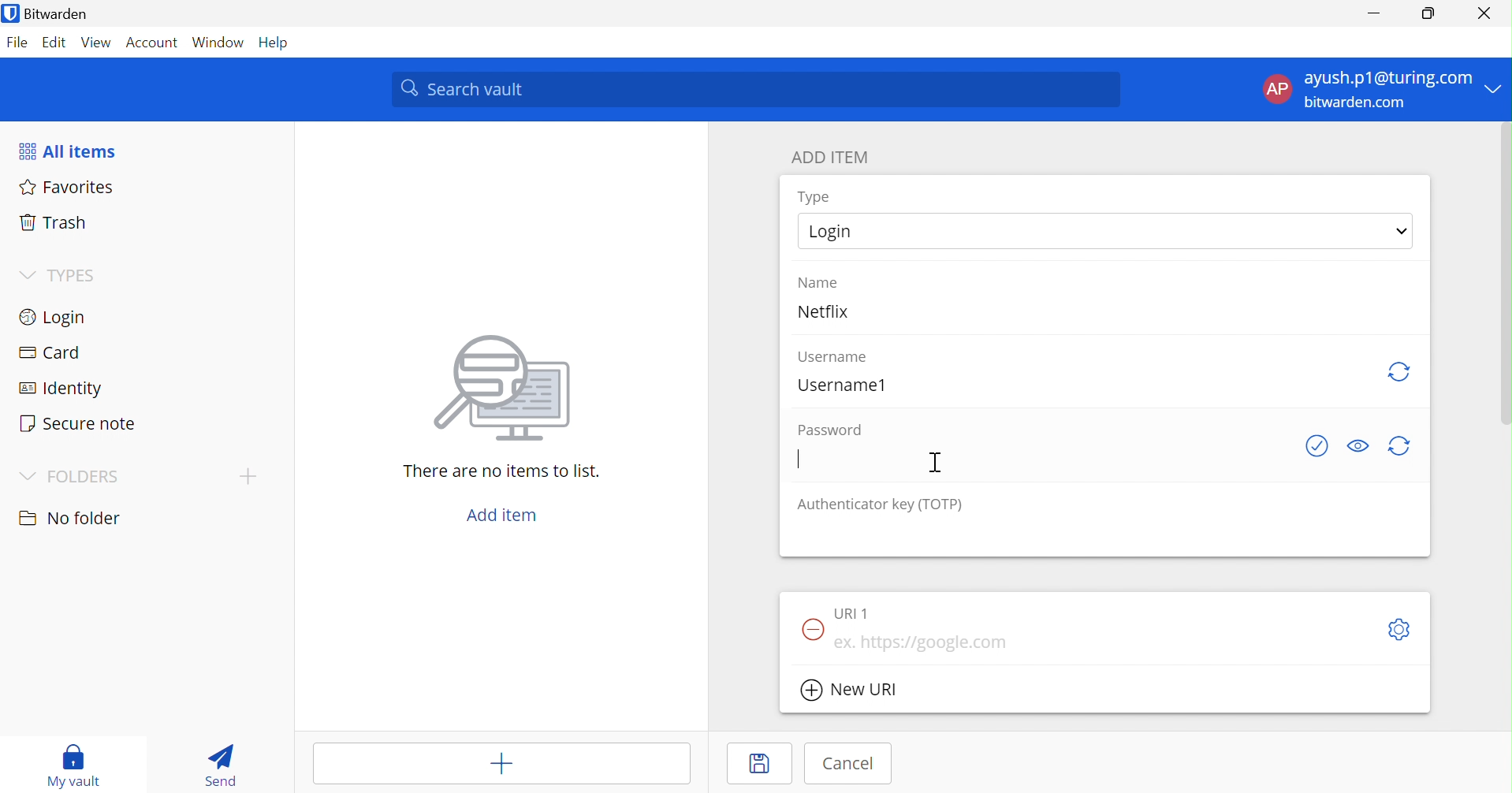 This screenshot has width=1512, height=793. Describe the element at coordinates (67, 187) in the screenshot. I see `Favorites` at that location.